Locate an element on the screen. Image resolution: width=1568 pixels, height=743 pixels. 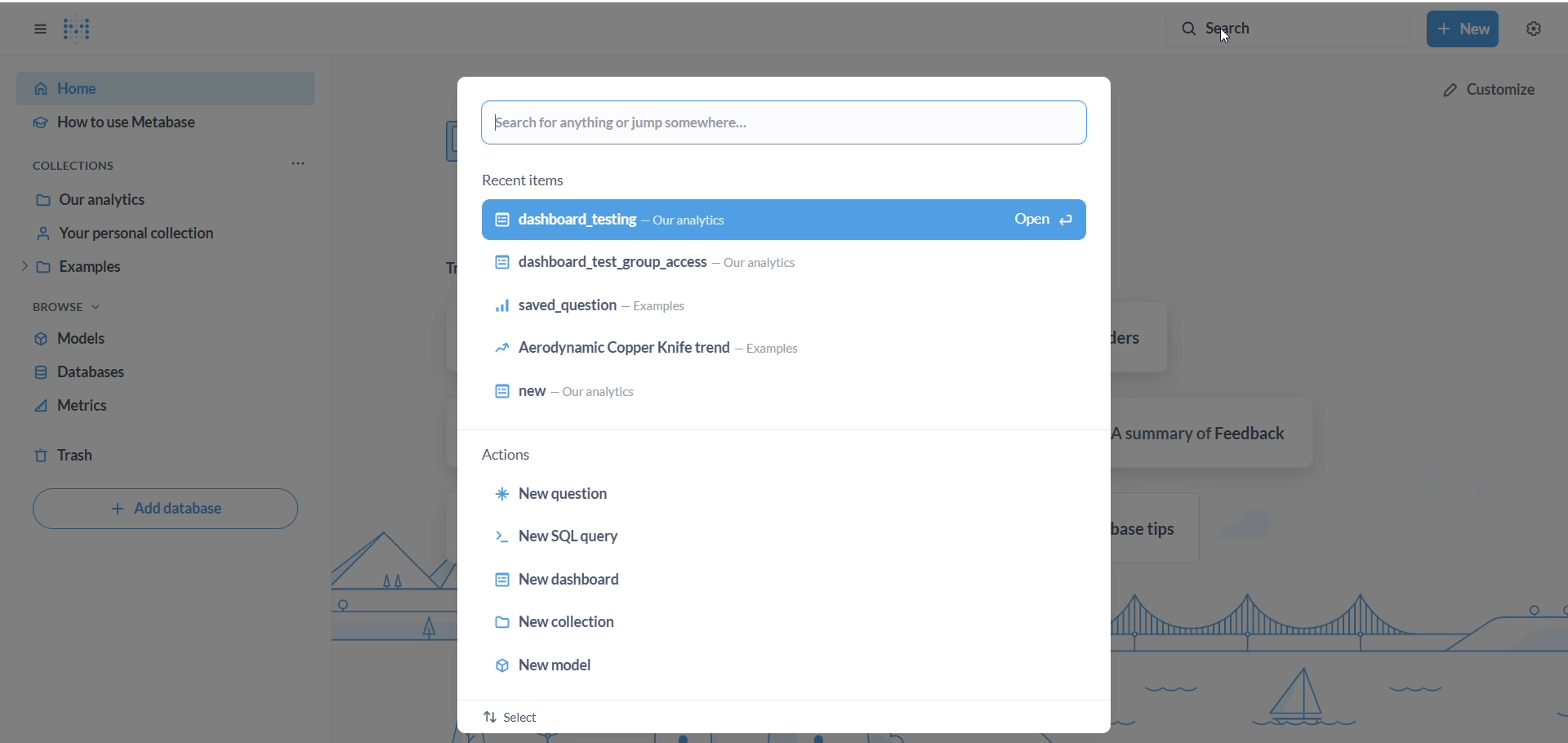
metrics is located at coordinates (138, 406).